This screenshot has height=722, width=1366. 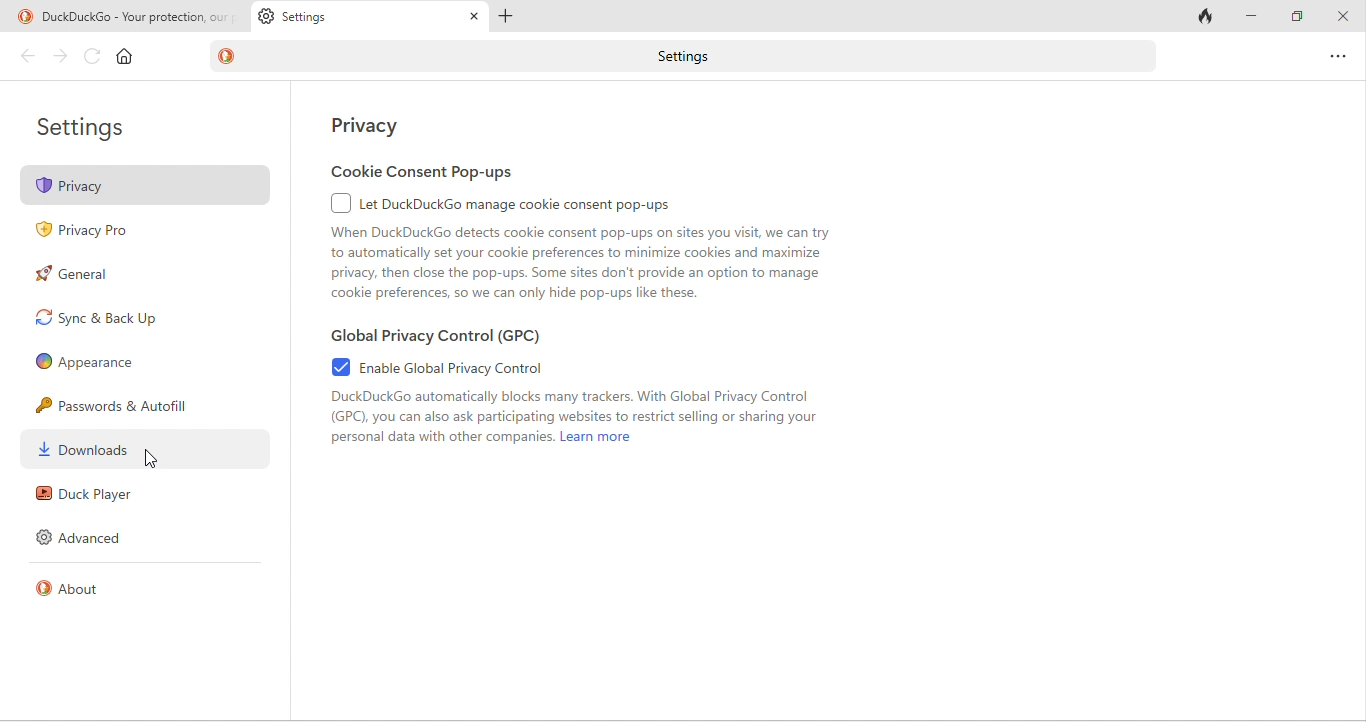 What do you see at coordinates (82, 542) in the screenshot?
I see `advanced` at bounding box center [82, 542].